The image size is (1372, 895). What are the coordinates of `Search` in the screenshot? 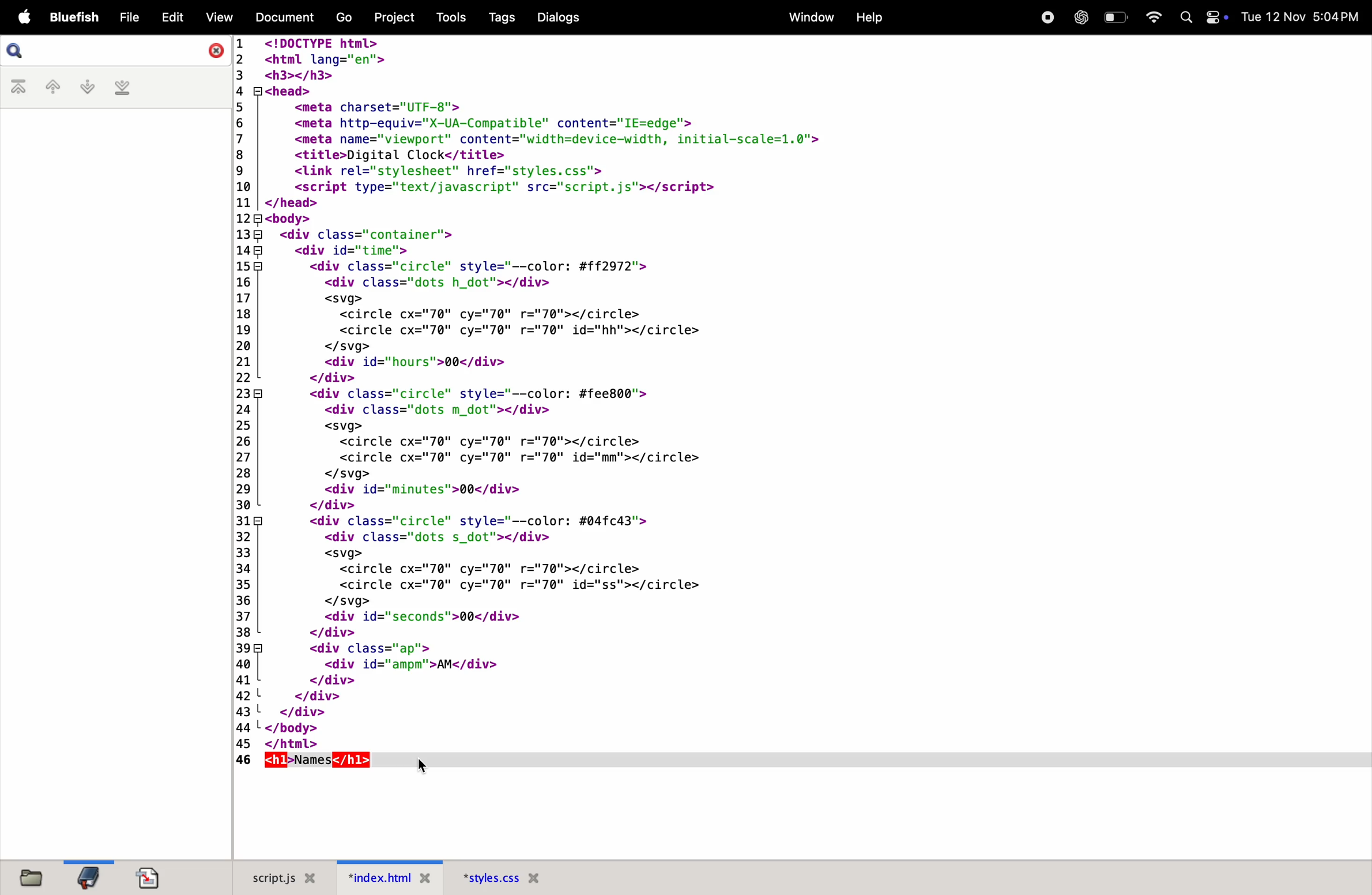 It's located at (1183, 16).